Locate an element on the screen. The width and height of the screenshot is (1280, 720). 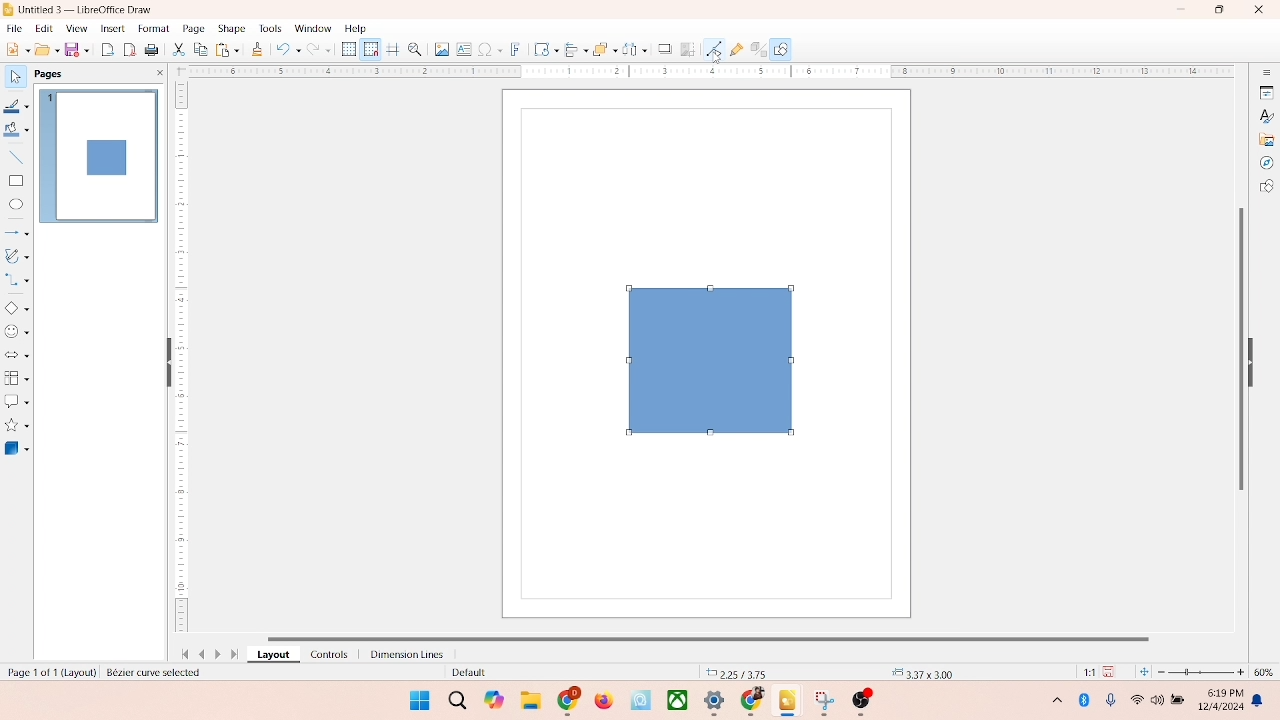
shape is located at coordinates (231, 28).